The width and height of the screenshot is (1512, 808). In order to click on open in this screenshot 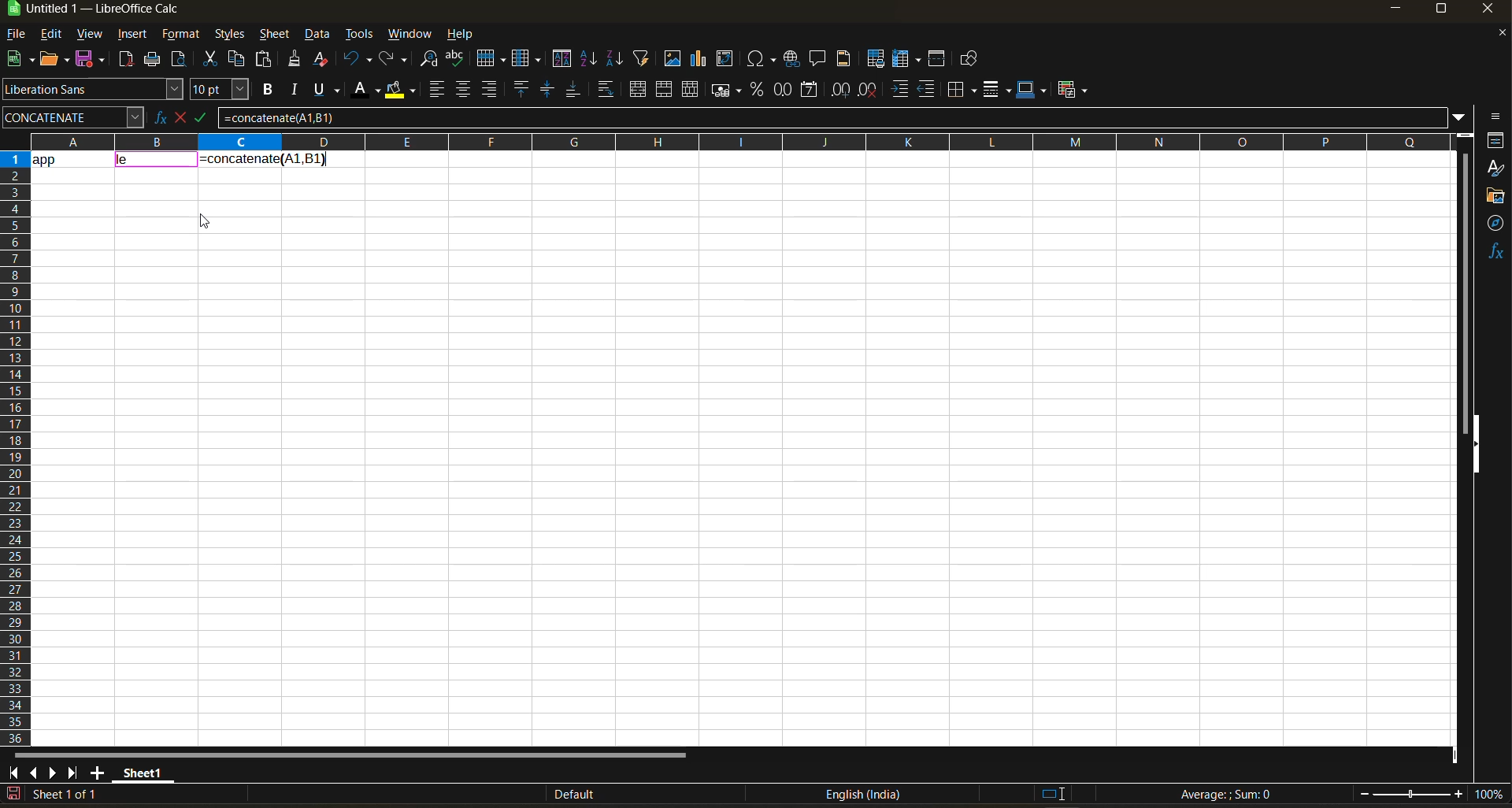, I will do `click(56, 60)`.